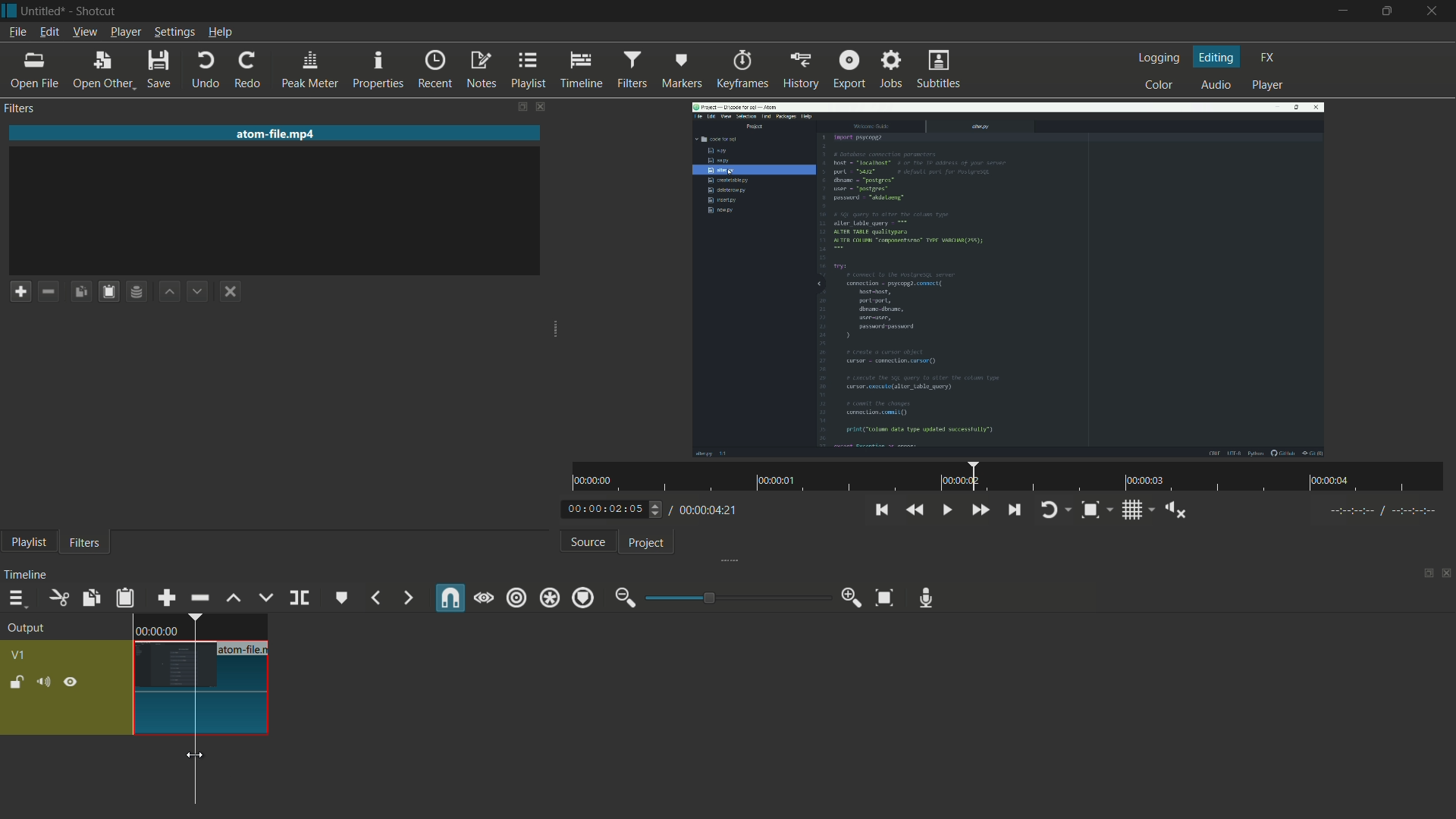  What do you see at coordinates (850, 600) in the screenshot?
I see `zoom in` at bounding box center [850, 600].